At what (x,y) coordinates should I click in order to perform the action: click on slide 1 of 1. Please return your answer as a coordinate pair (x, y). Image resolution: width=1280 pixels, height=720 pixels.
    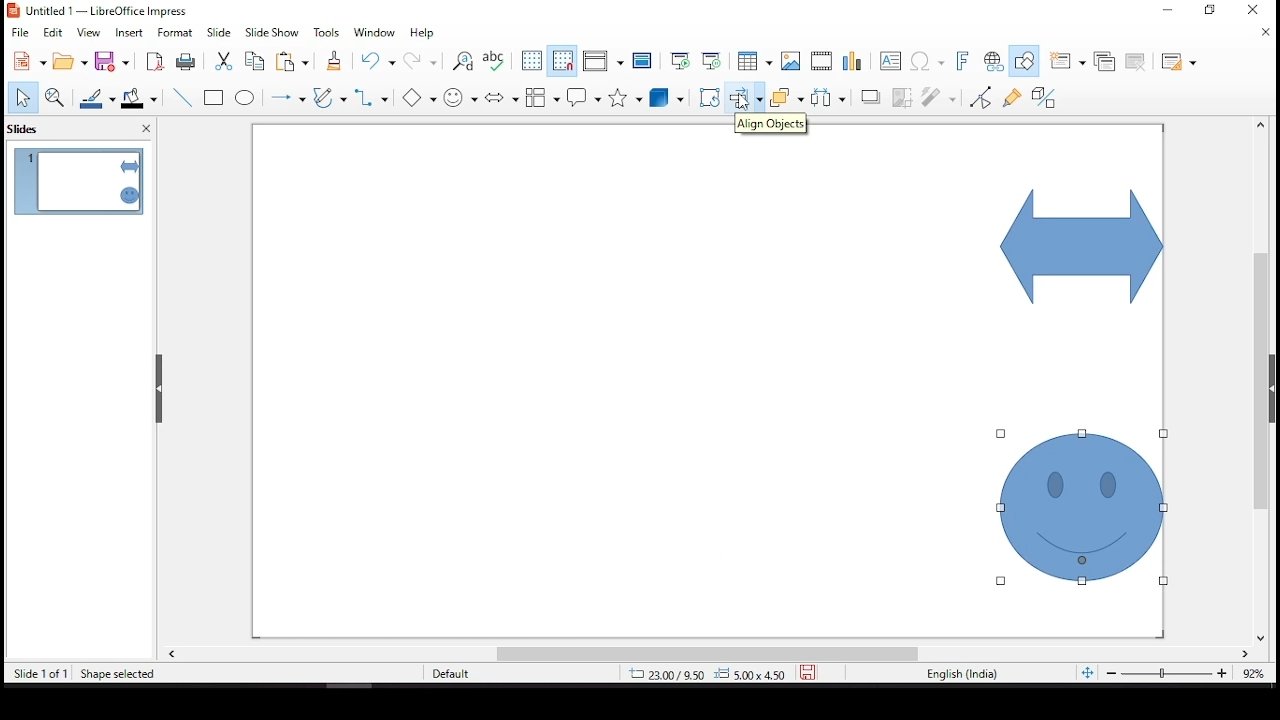
    Looking at the image, I should click on (41, 673).